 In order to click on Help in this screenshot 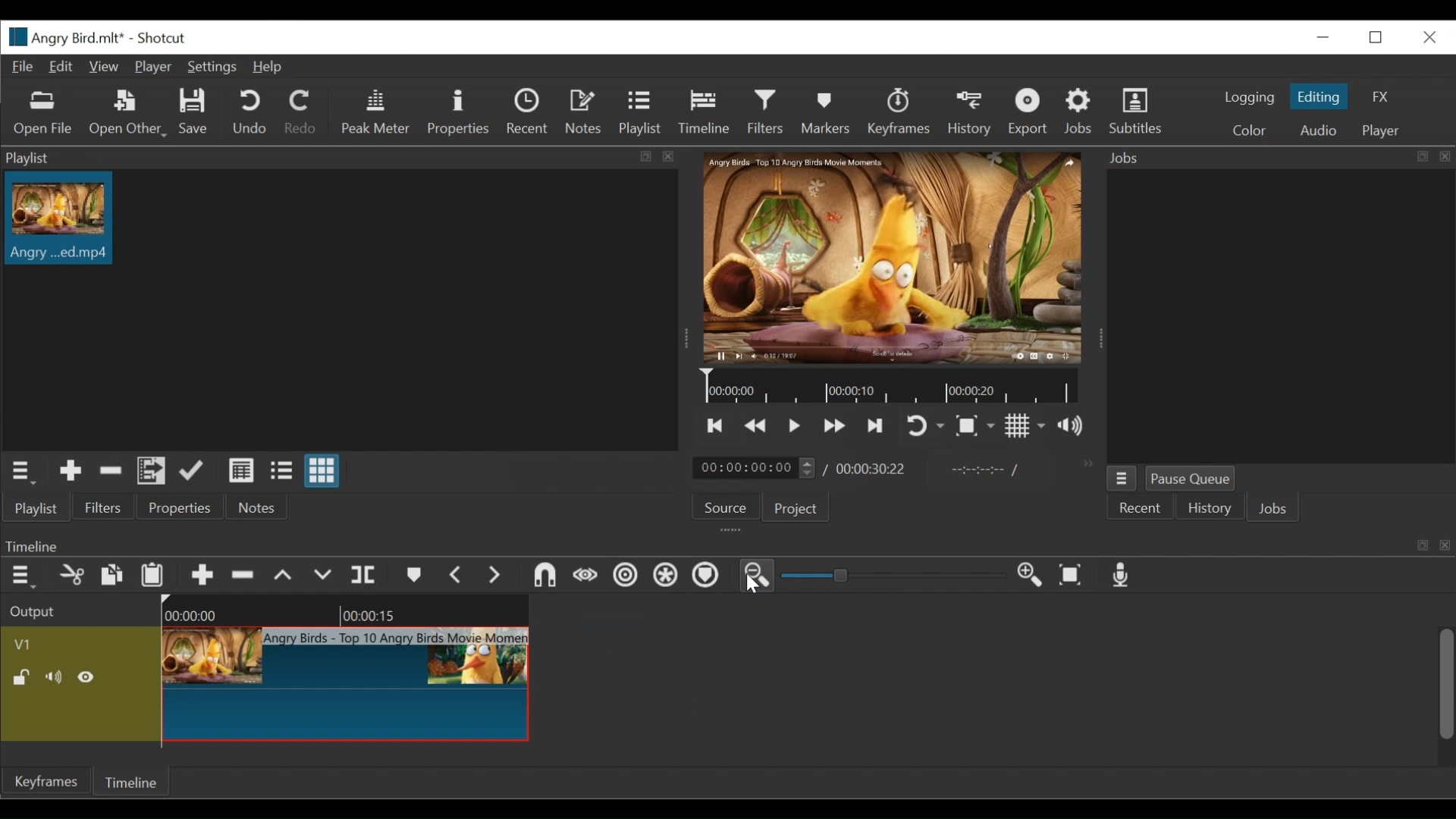, I will do `click(265, 67)`.